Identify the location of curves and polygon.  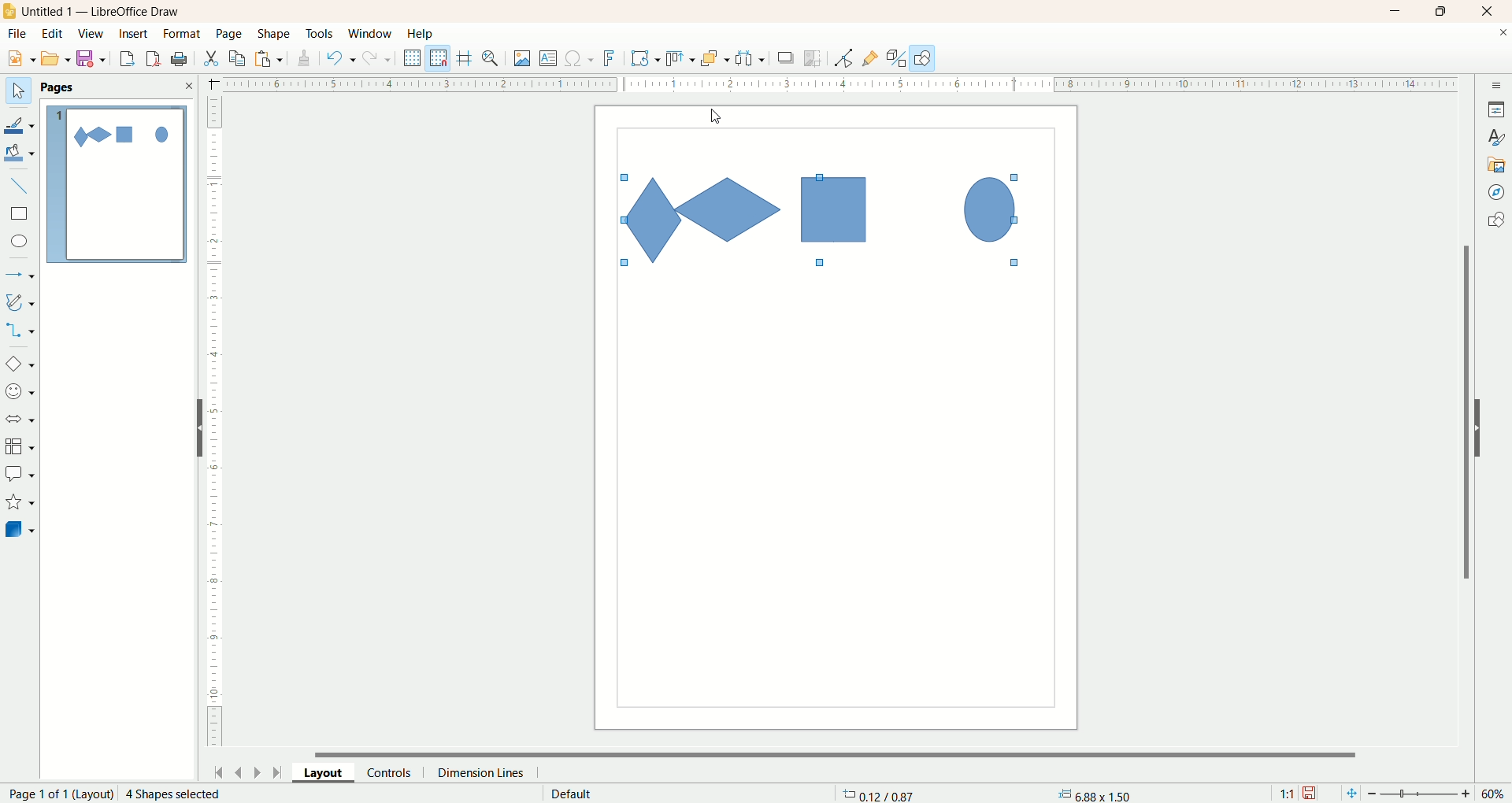
(21, 302).